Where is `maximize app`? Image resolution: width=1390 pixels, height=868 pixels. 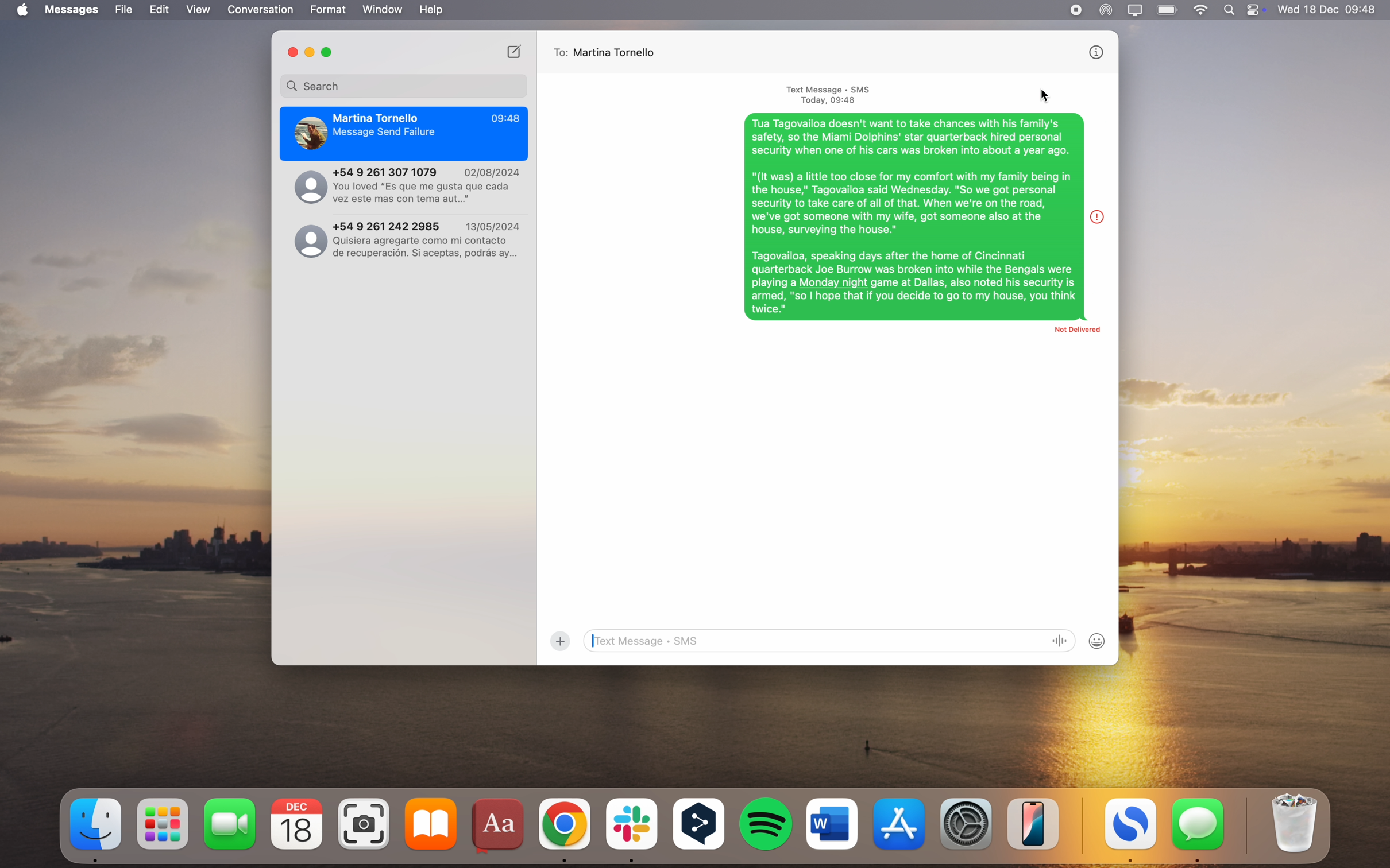 maximize app is located at coordinates (329, 52).